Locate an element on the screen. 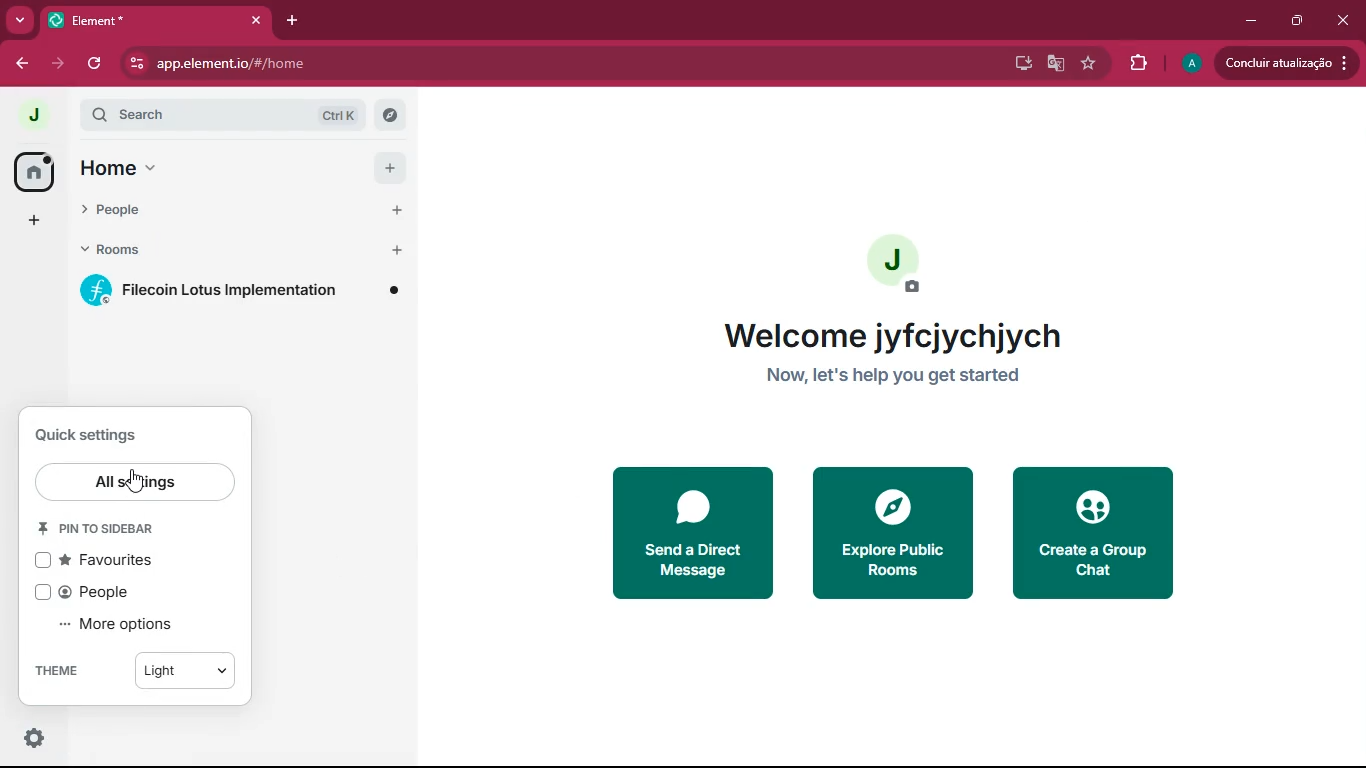 The image size is (1366, 768). favourite is located at coordinates (1087, 65).